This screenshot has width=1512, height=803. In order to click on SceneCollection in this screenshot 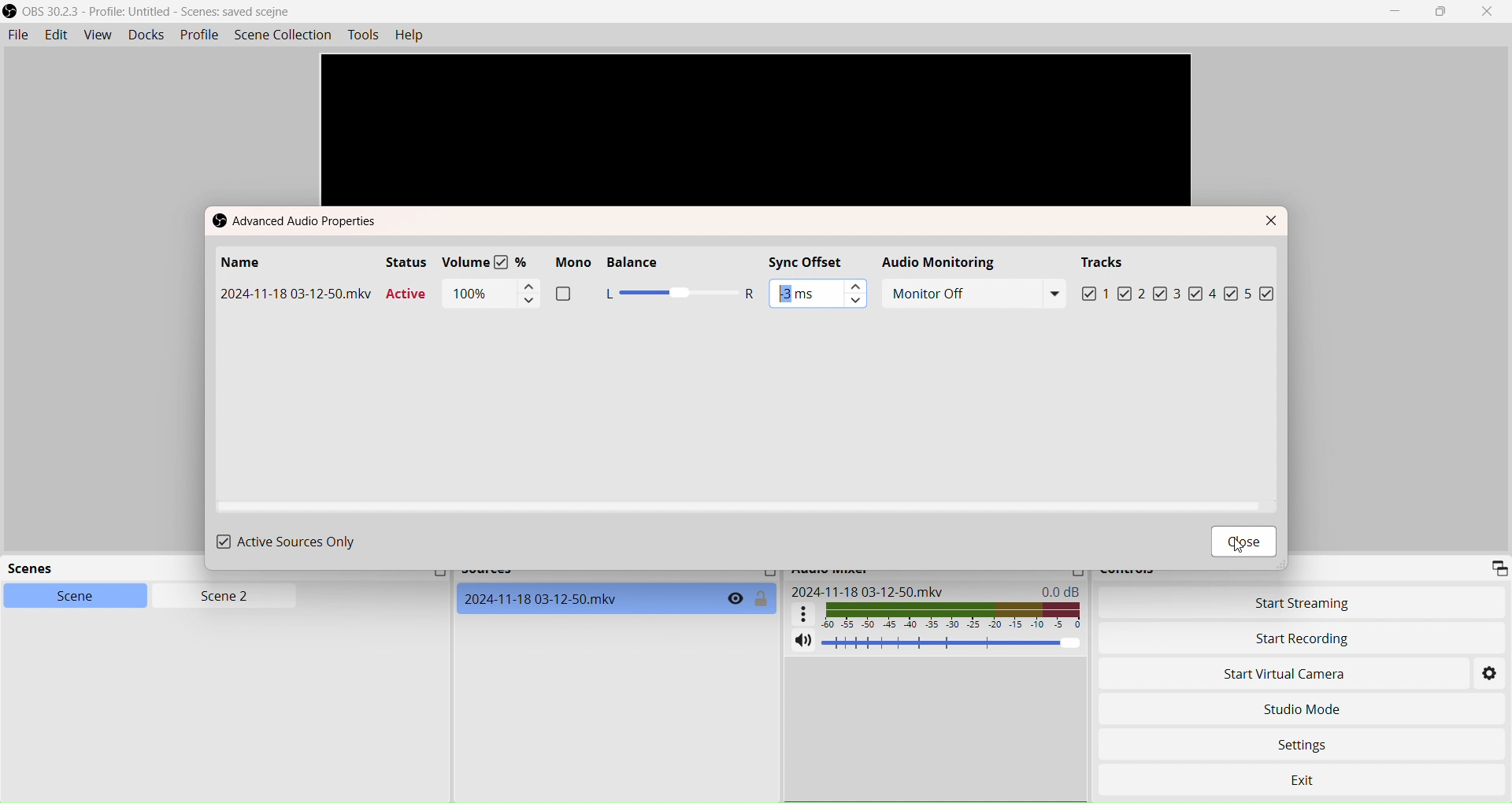, I will do `click(285, 34)`.